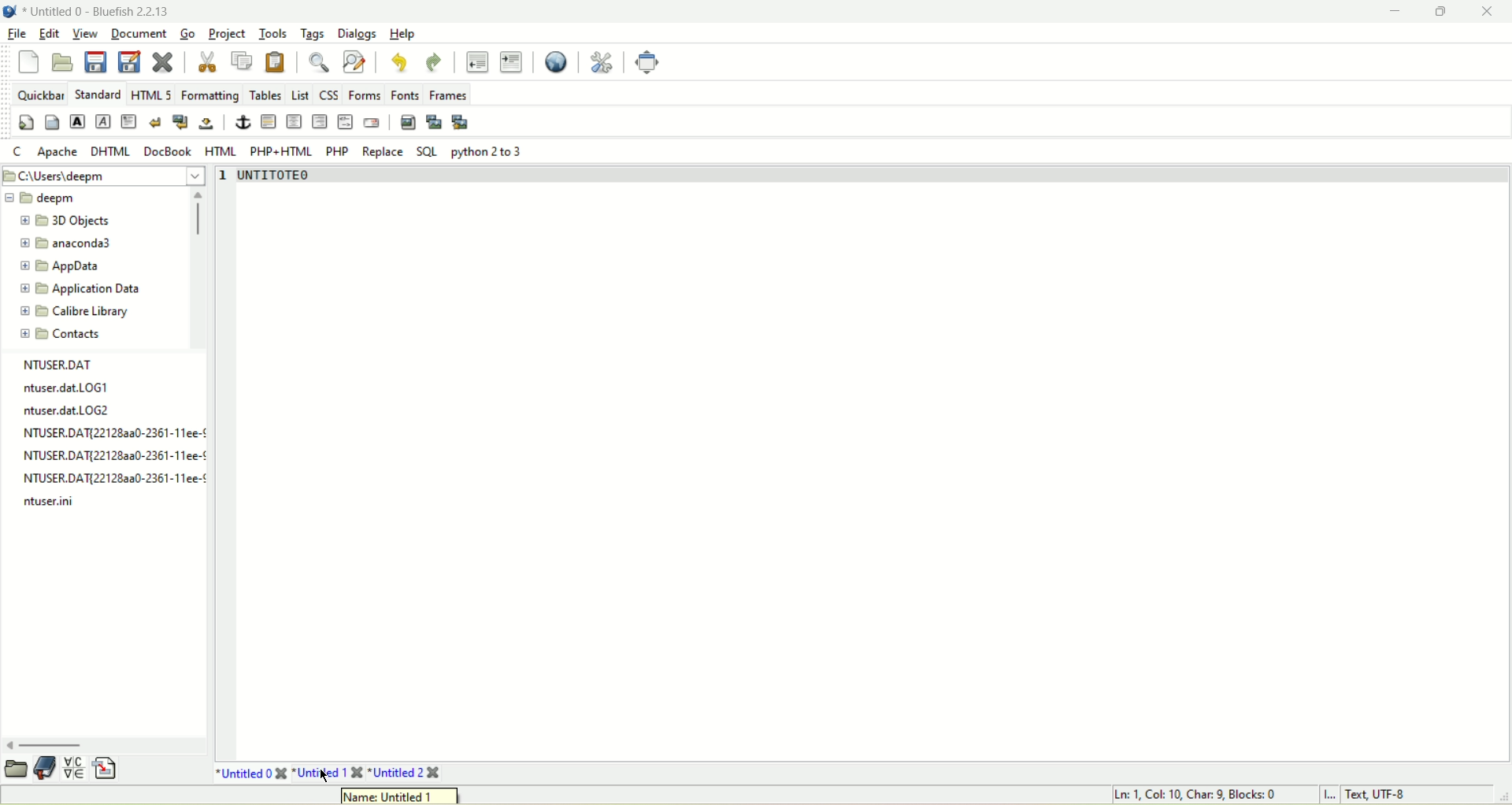 This screenshot has height=805, width=1512. What do you see at coordinates (280, 177) in the screenshot?
I see `text` at bounding box center [280, 177].